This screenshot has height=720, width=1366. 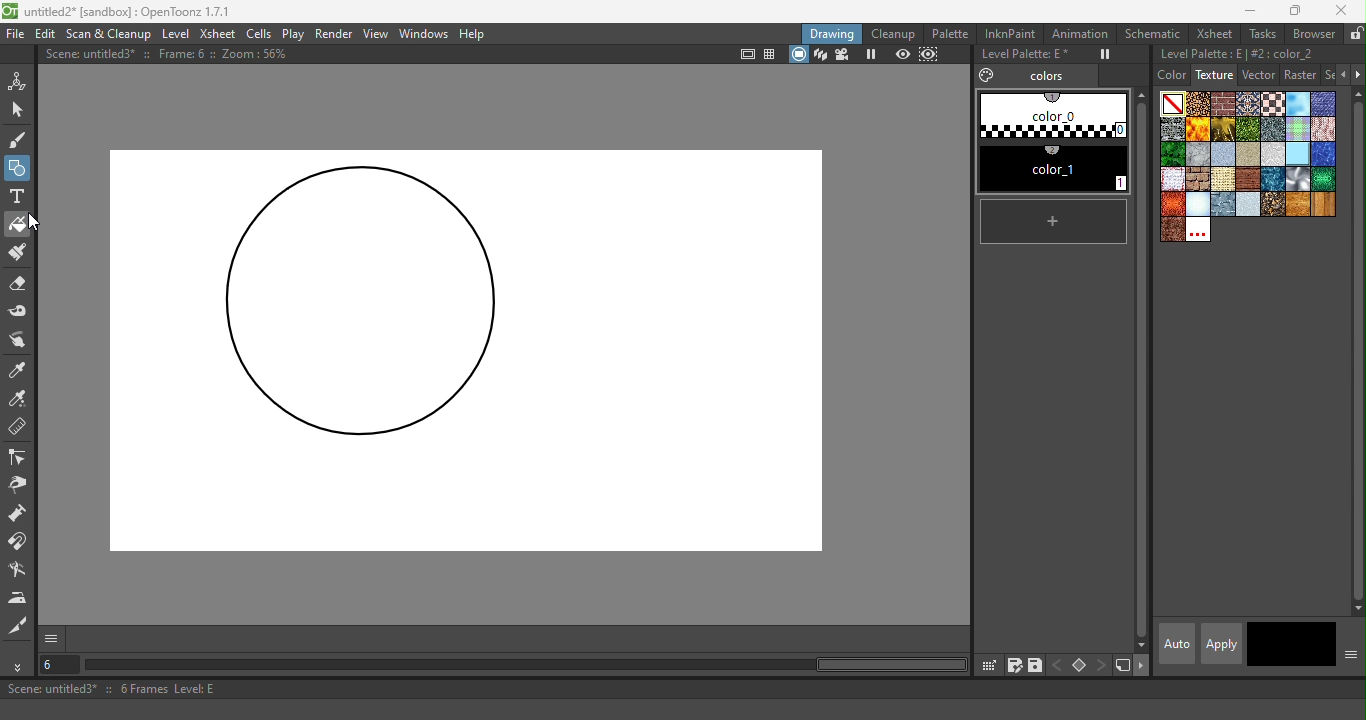 What do you see at coordinates (1058, 663) in the screenshot?
I see `previous key` at bounding box center [1058, 663].